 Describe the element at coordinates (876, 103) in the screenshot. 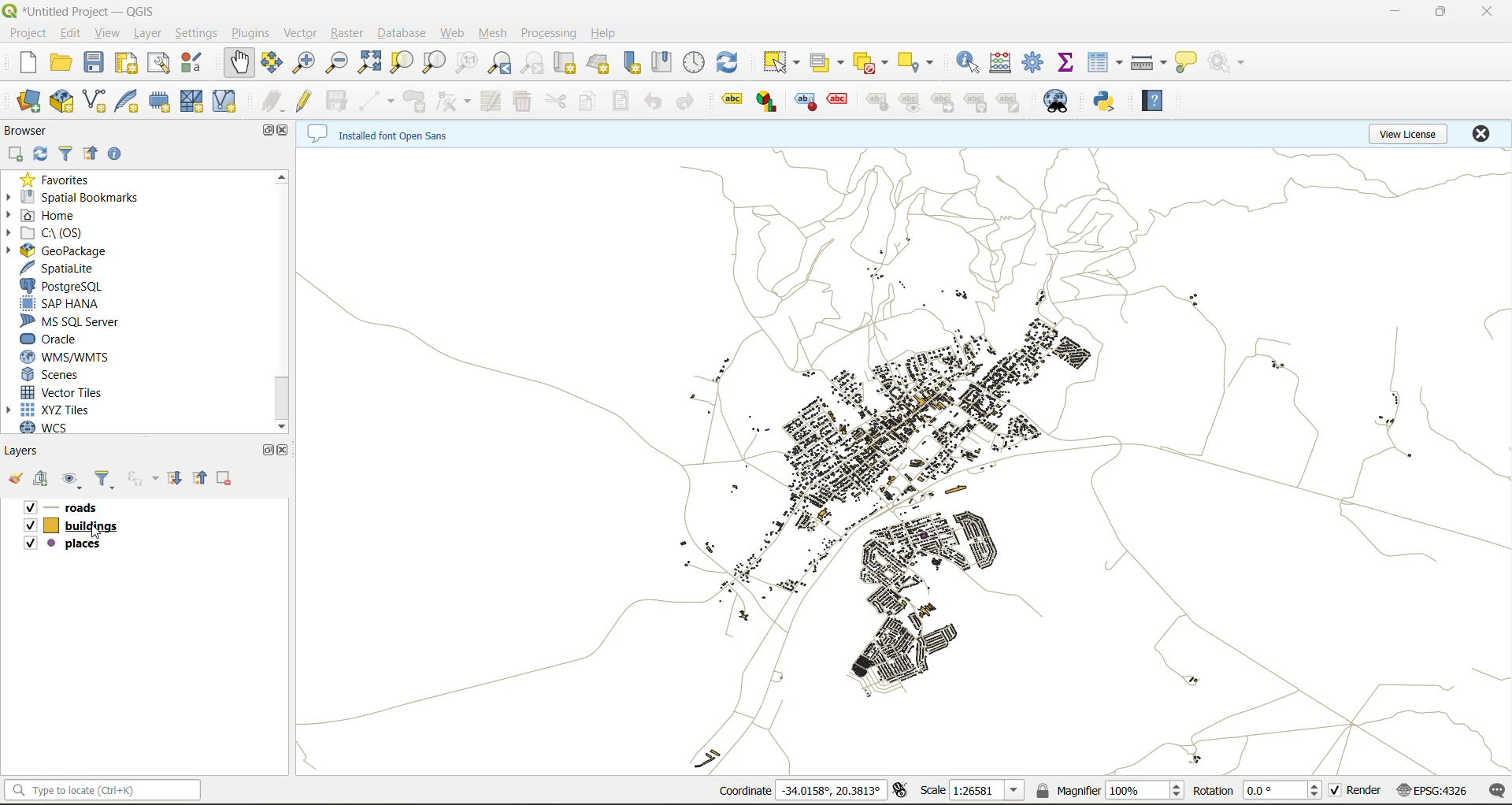

I see `label tools` at that location.